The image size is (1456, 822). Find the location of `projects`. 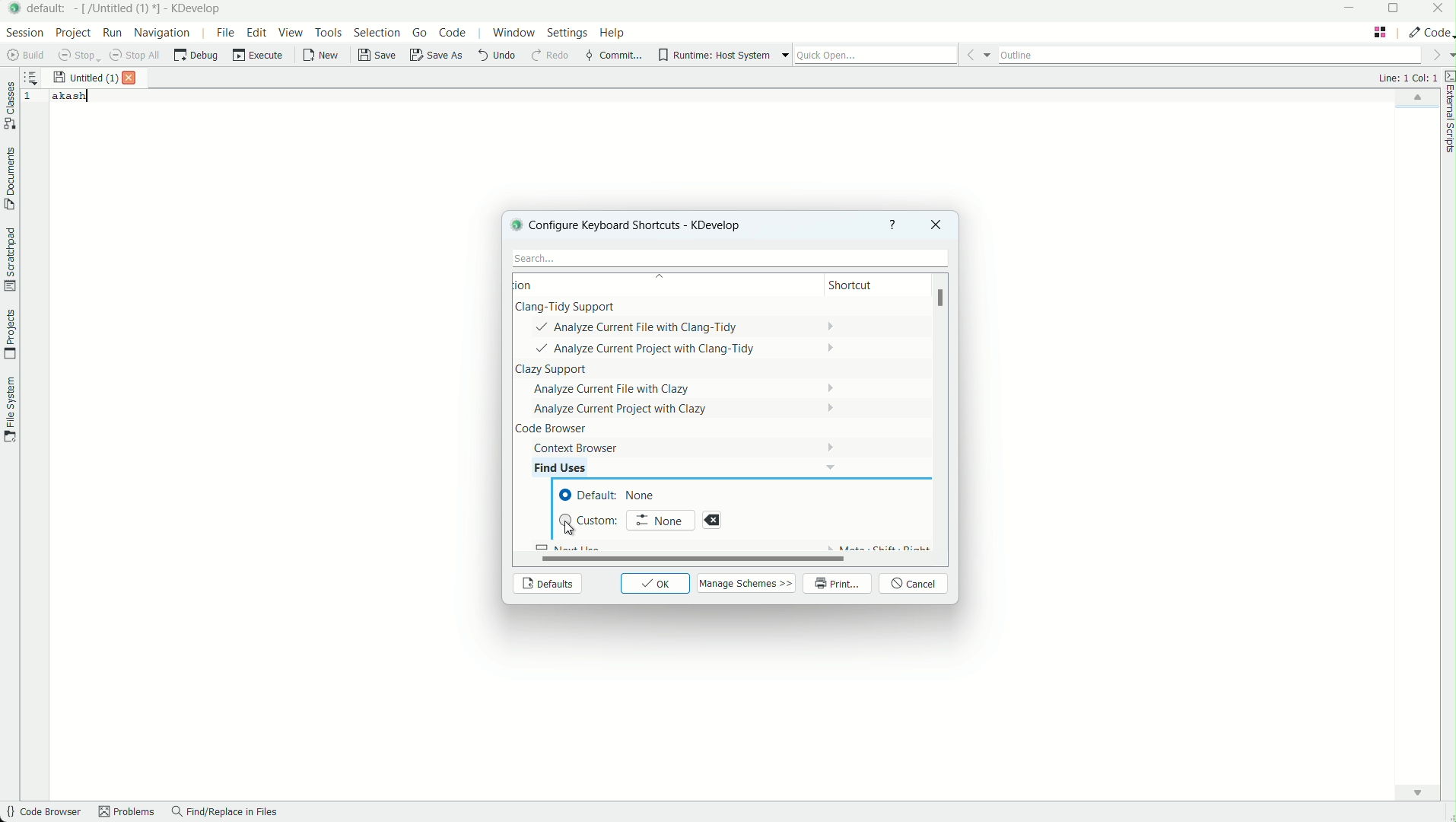

projects is located at coordinates (9, 335).